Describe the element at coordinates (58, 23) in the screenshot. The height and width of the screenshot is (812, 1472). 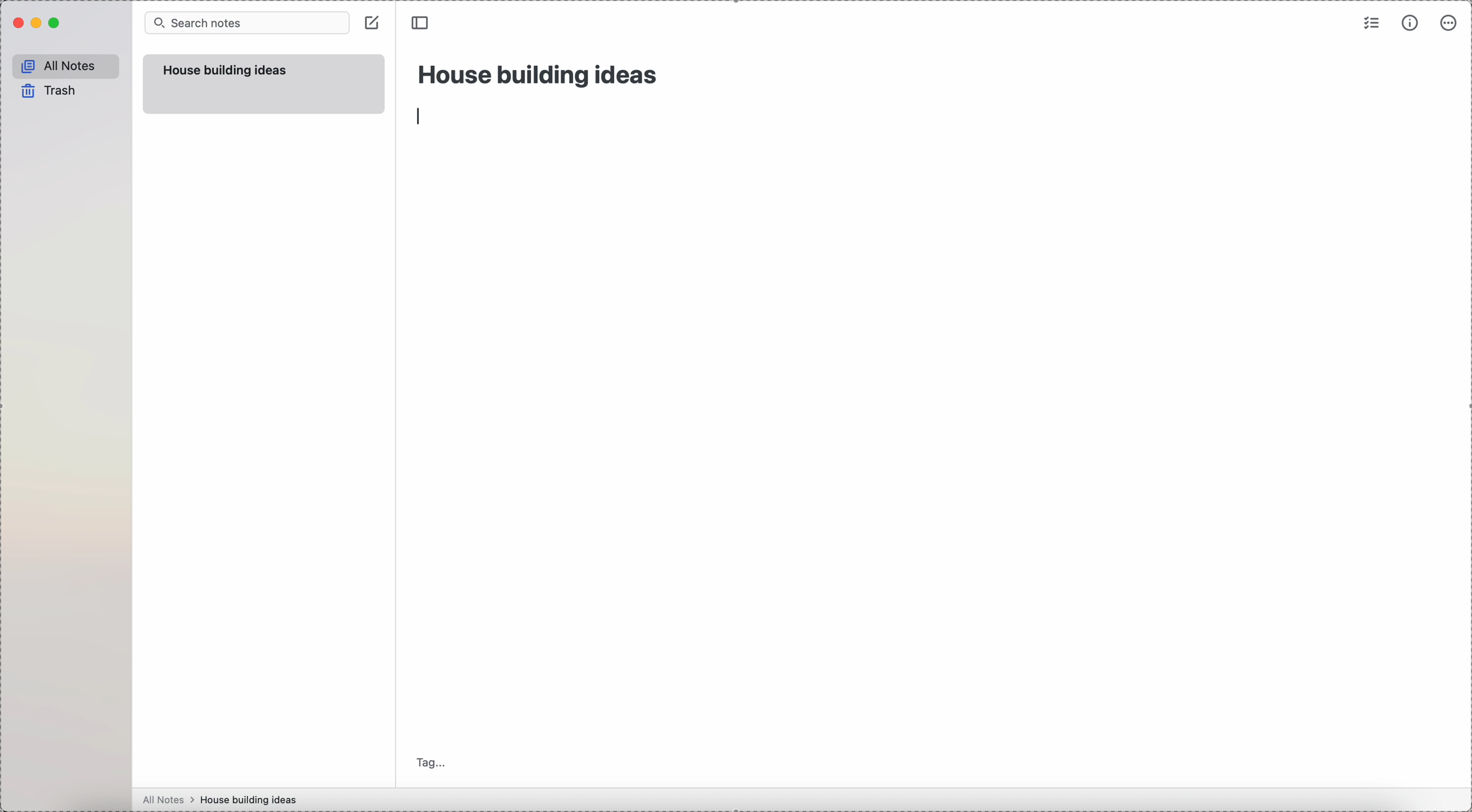
I see `maximize Simplenote` at that location.